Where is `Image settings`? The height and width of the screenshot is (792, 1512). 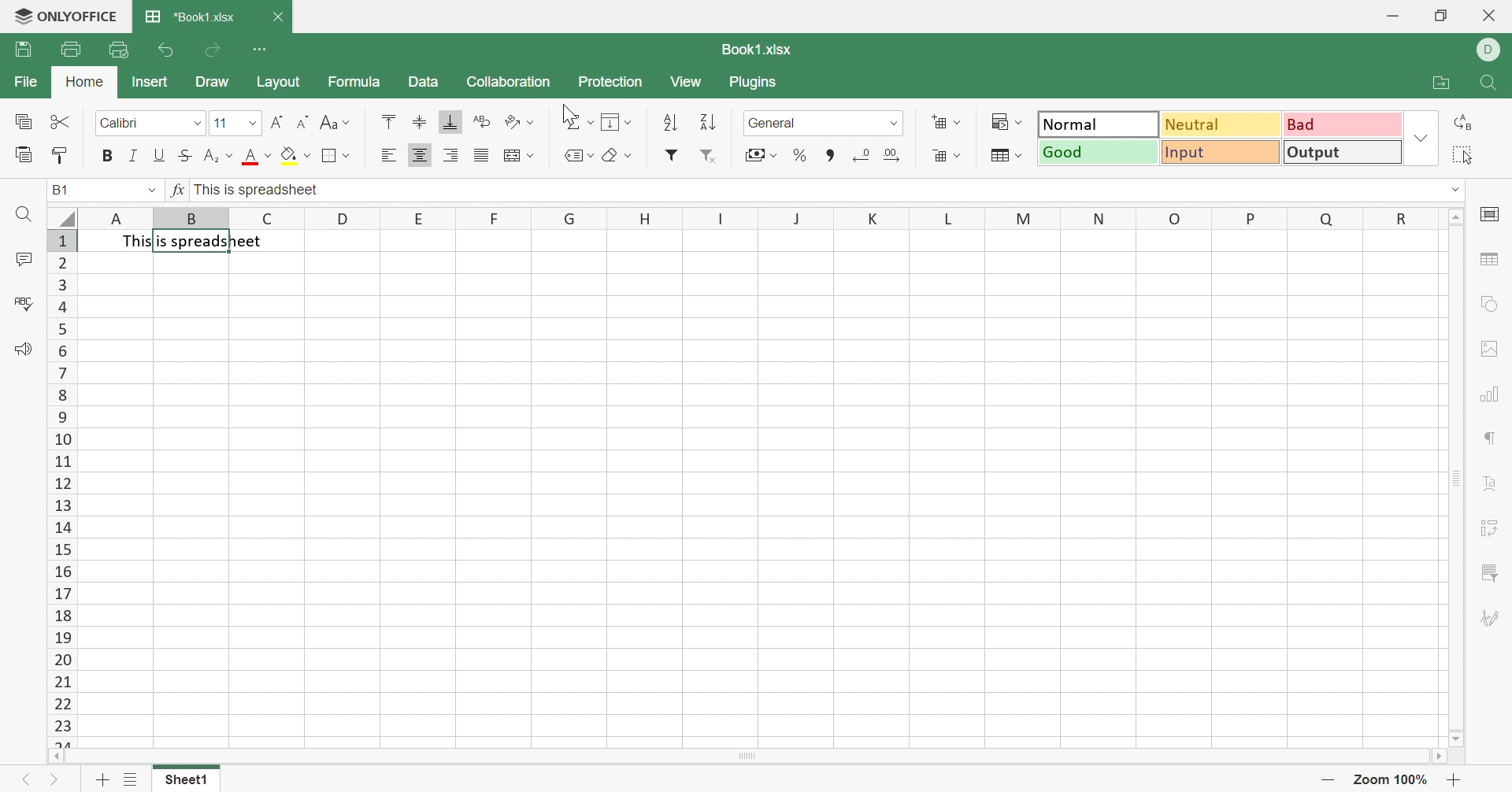 Image settings is located at coordinates (1492, 348).